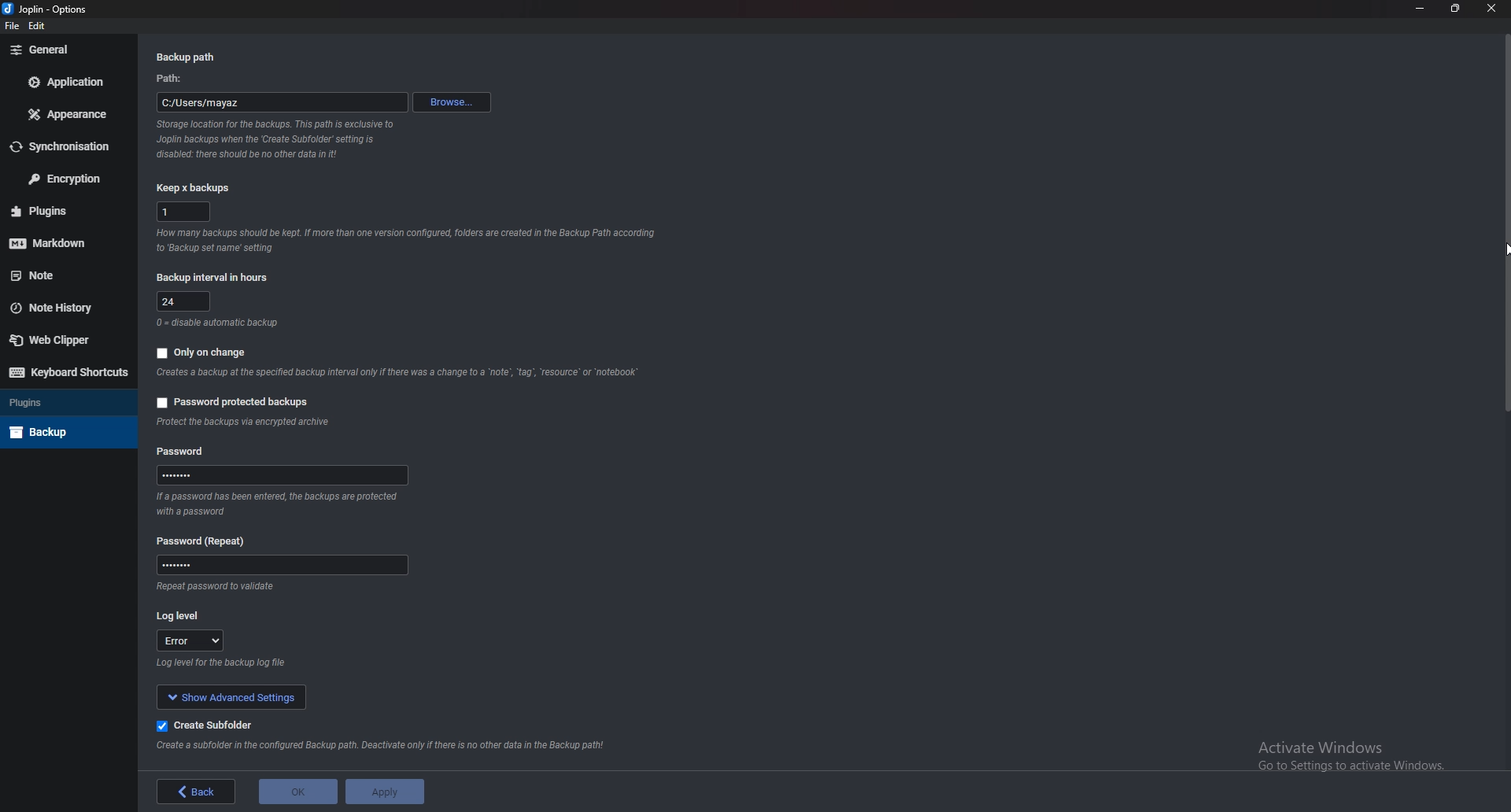  Describe the element at coordinates (211, 352) in the screenshot. I see `Only on change` at that location.